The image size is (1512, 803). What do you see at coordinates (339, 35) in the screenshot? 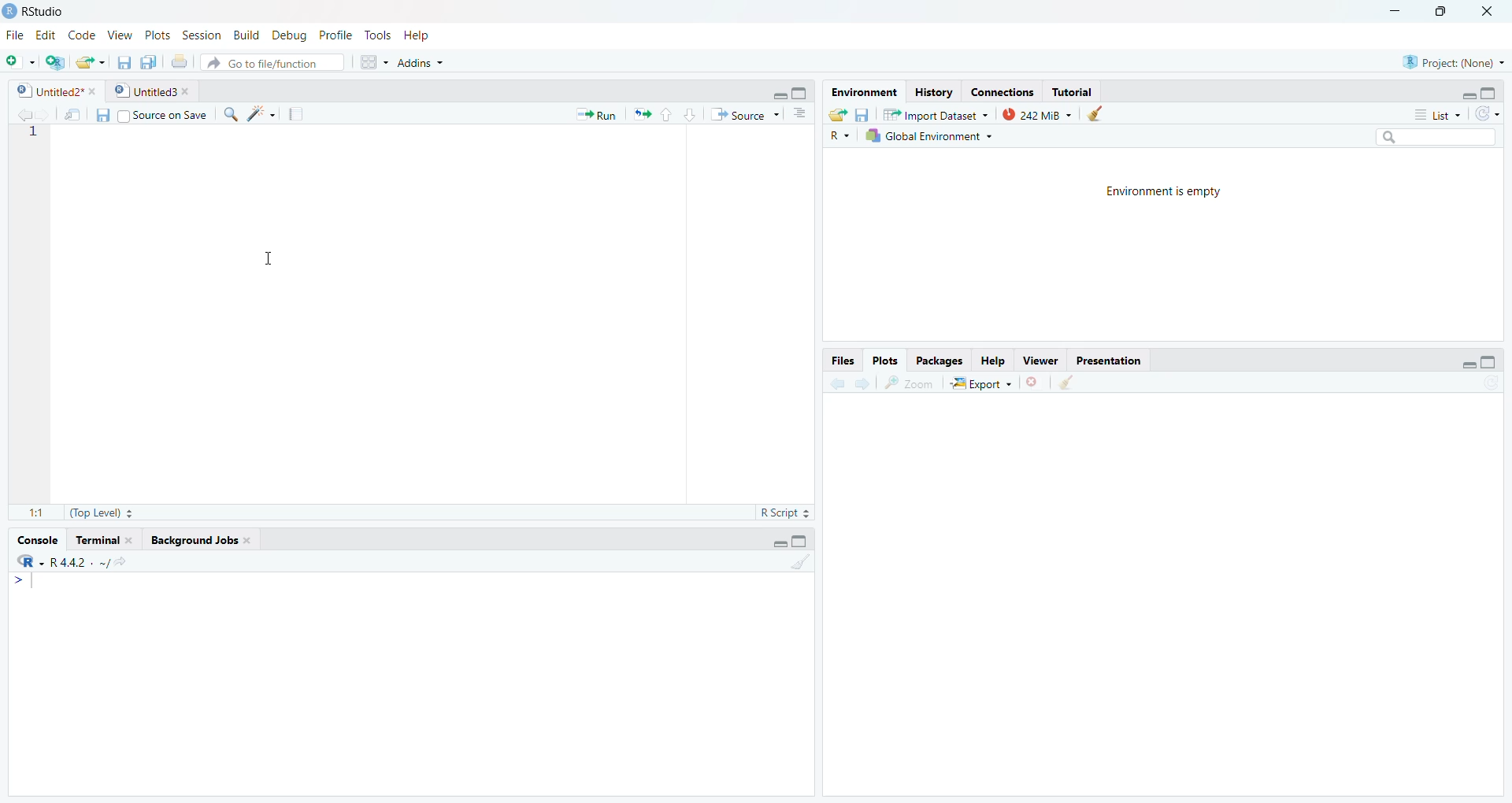
I see `Profile` at bounding box center [339, 35].